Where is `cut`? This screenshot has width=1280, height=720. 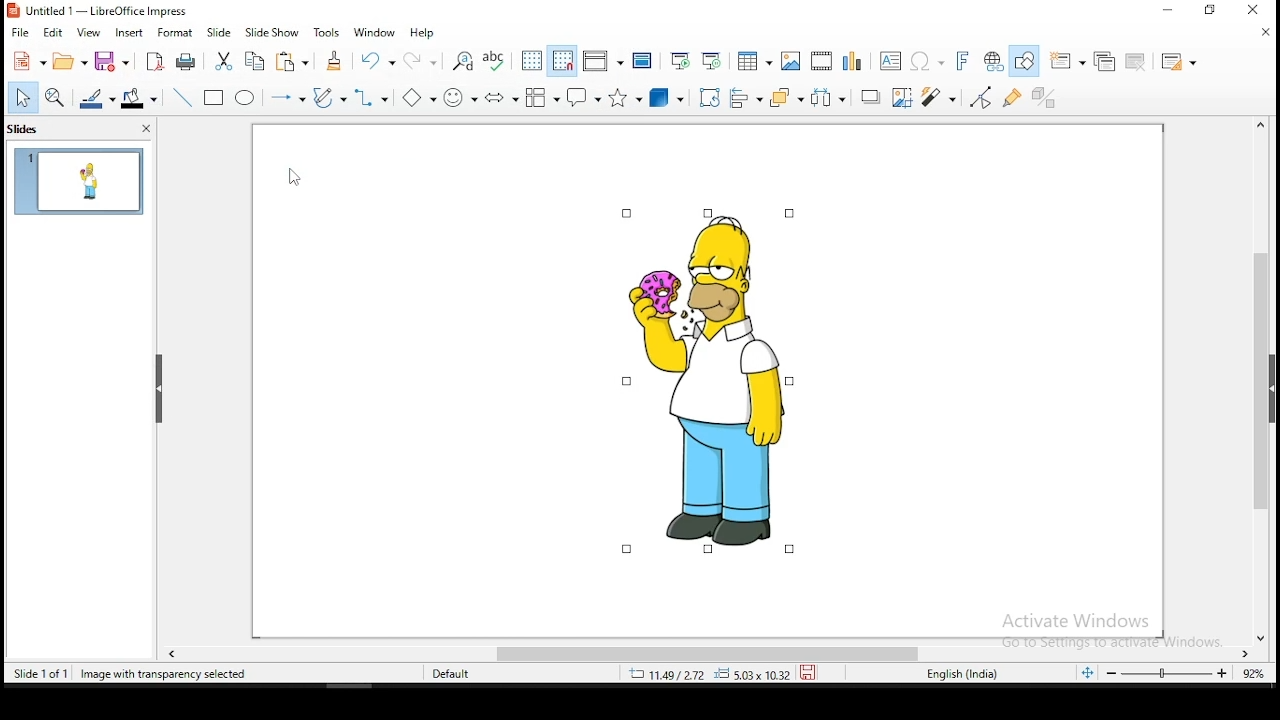 cut is located at coordinates (225, 61).